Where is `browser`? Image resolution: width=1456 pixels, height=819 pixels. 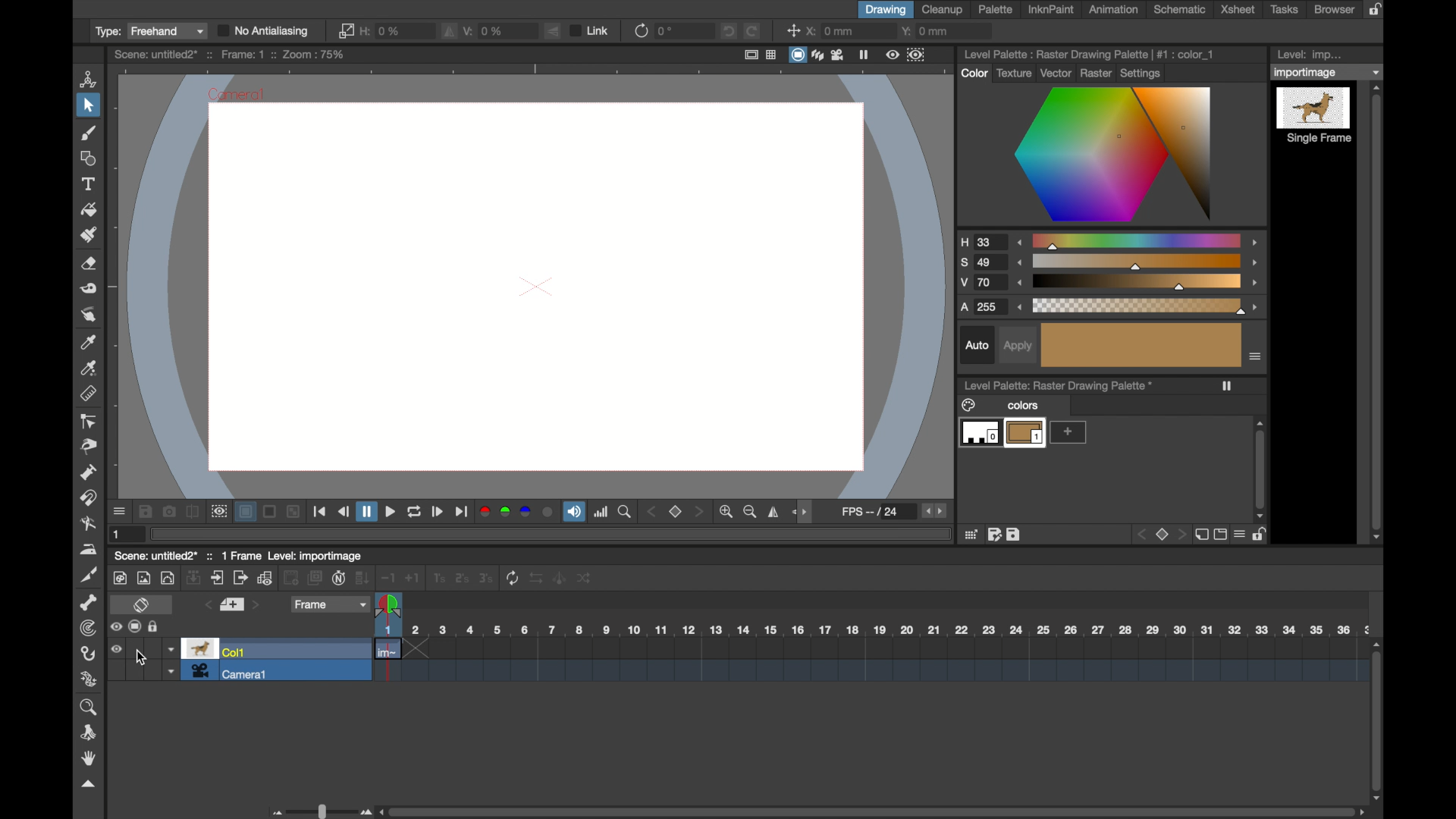 browser is located at coordinates (1333, 9).